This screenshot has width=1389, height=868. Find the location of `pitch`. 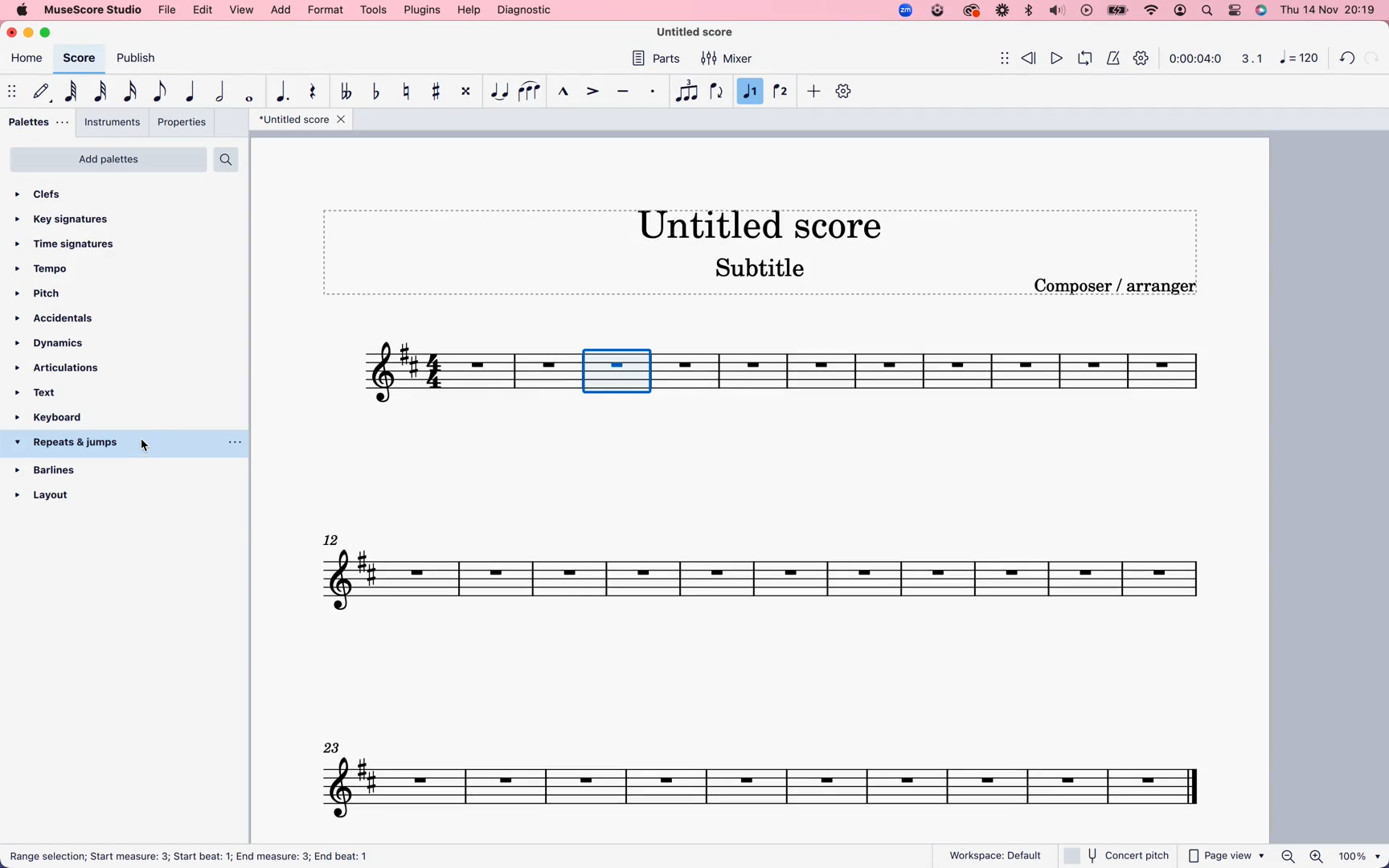

pitch is located at coordinates (50, 294).